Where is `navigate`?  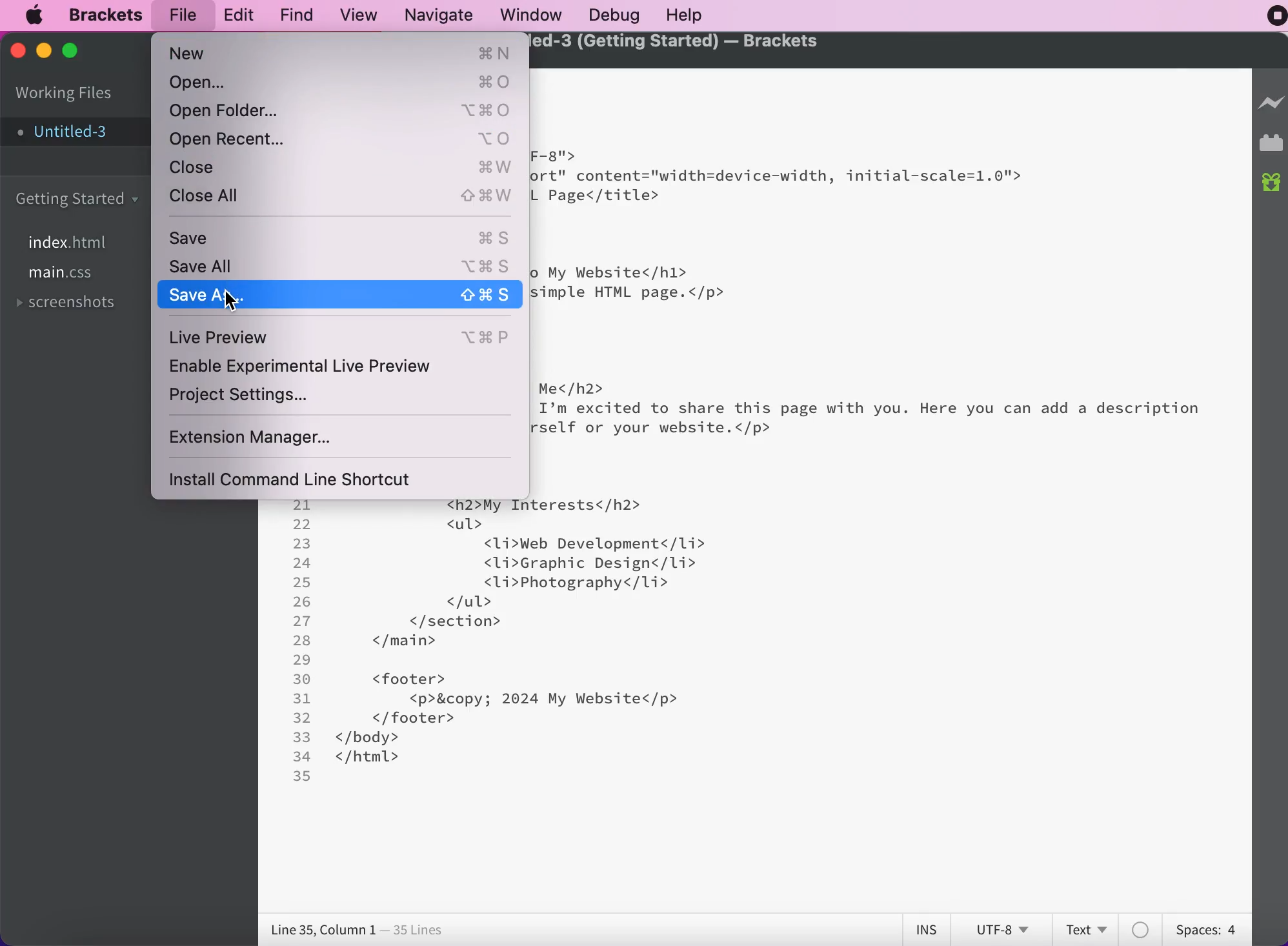 navigate is located at coordinates (443, 14).